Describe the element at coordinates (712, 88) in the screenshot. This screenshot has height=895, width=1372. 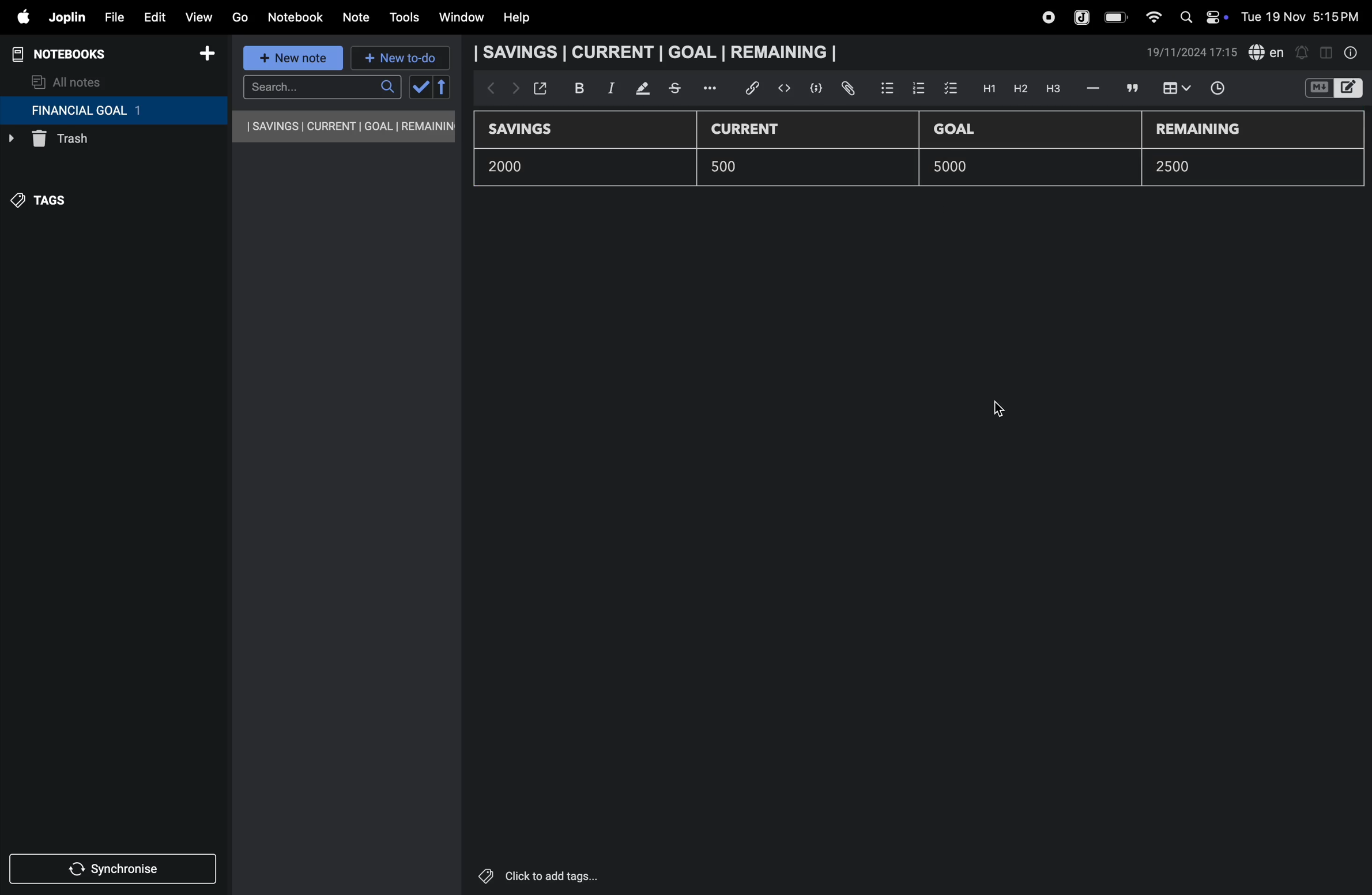
I see `options` at that location.